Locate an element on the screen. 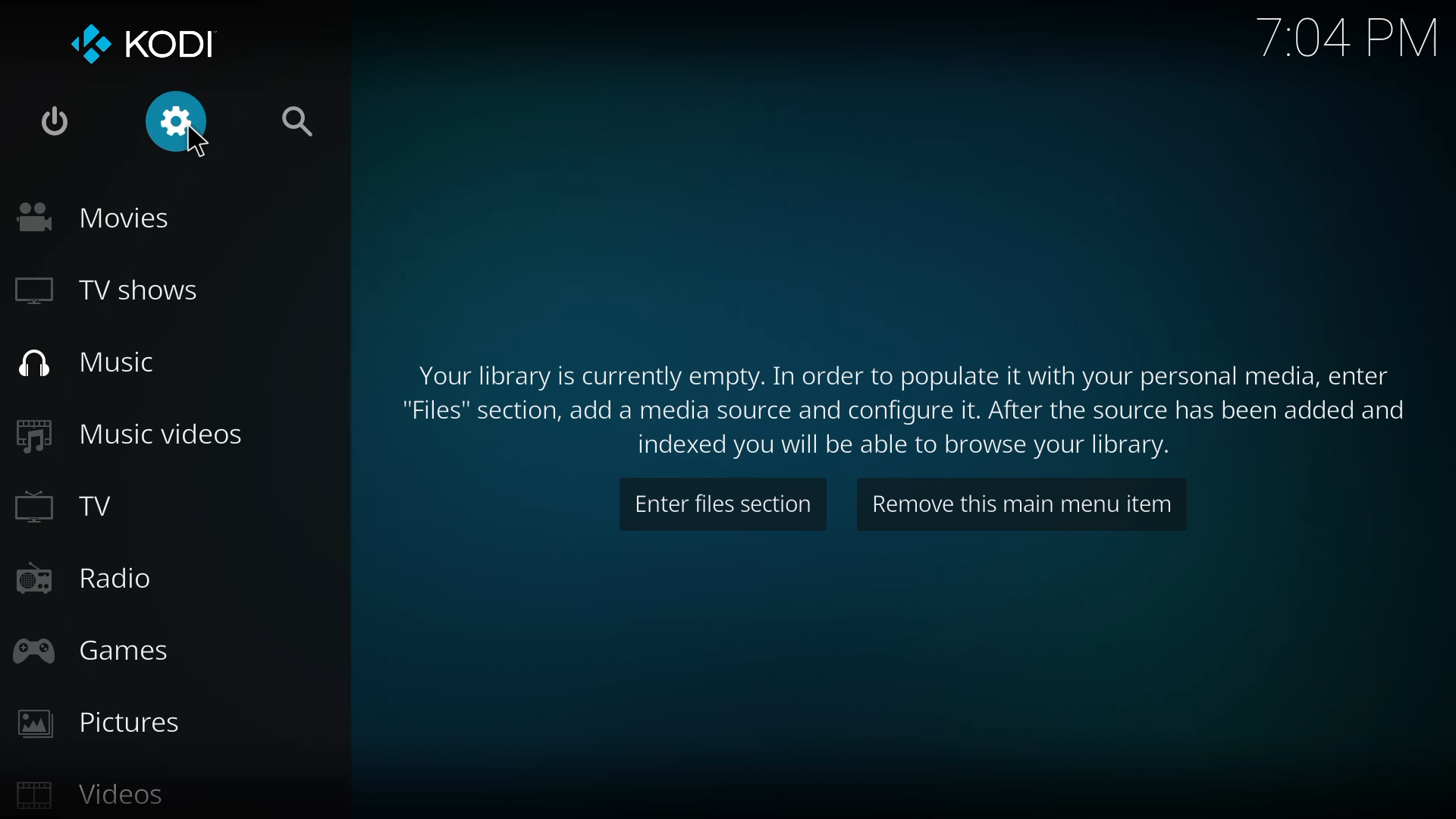 Image resolution: width=1456 pixels, height=819 pixels. tv is located at coordinates (80, 511).